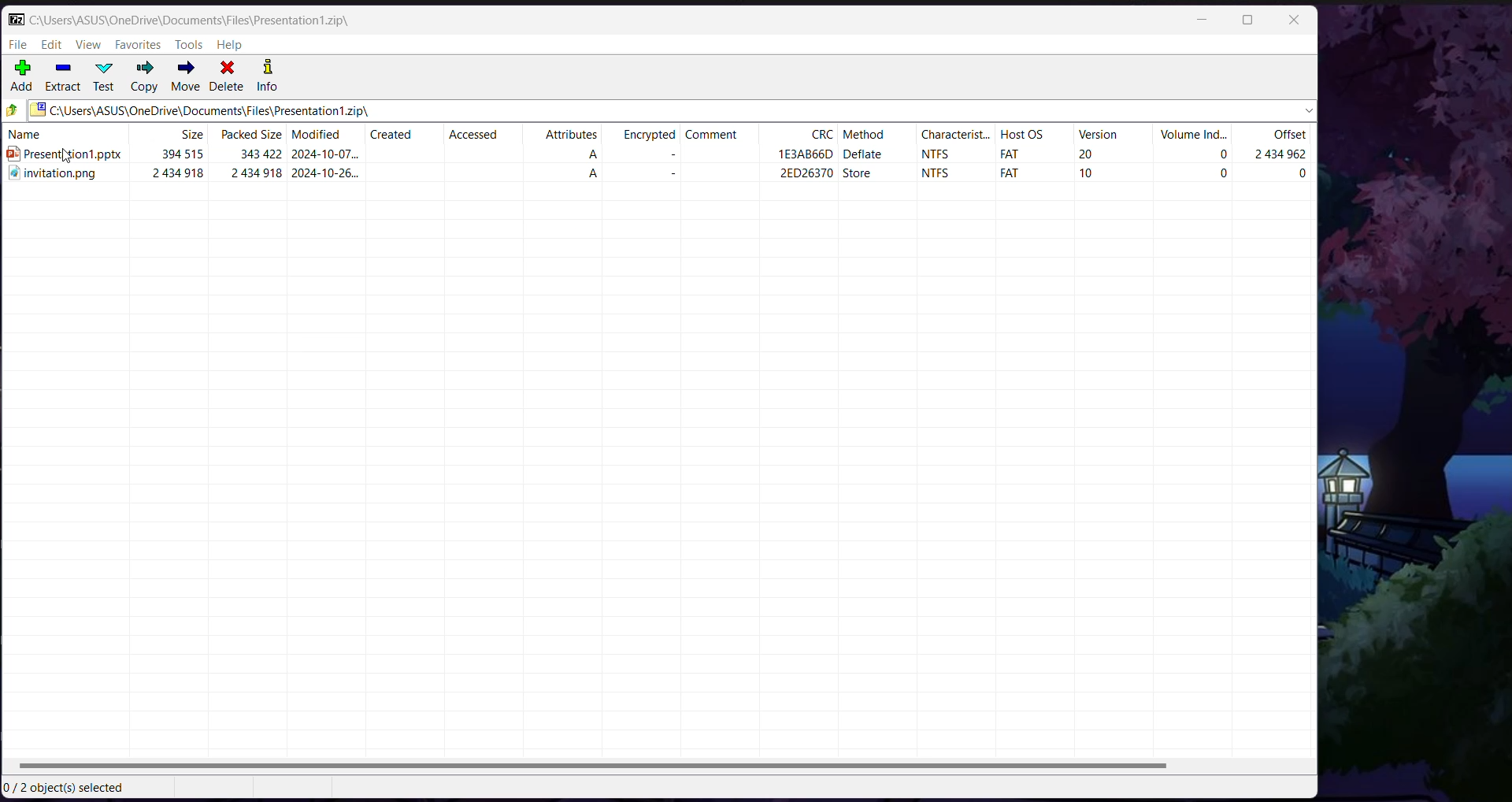  I want to click on 0, so click(1220, 173).